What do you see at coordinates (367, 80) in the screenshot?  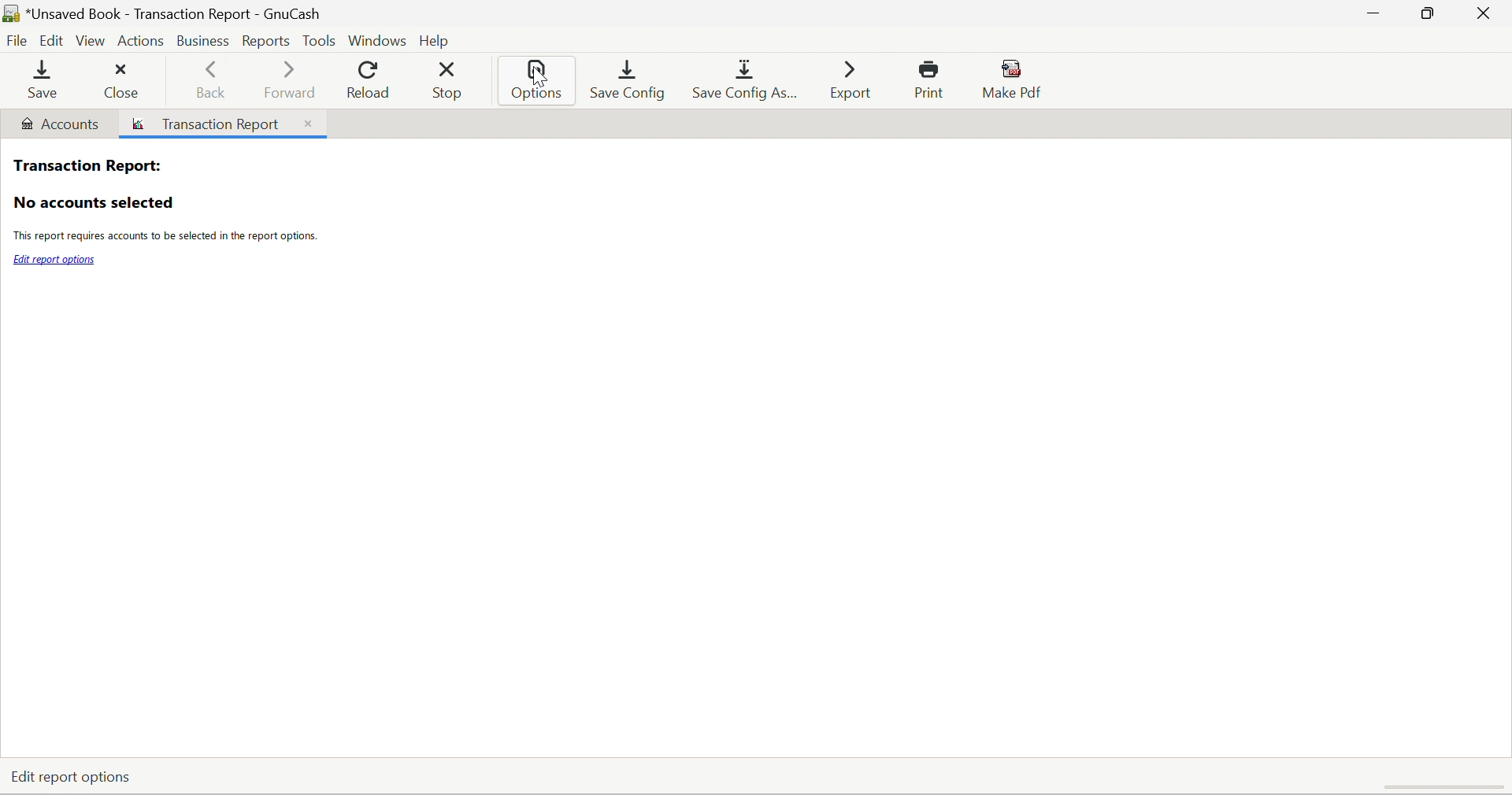 I see `Reload` at bounding box center [367, 80].